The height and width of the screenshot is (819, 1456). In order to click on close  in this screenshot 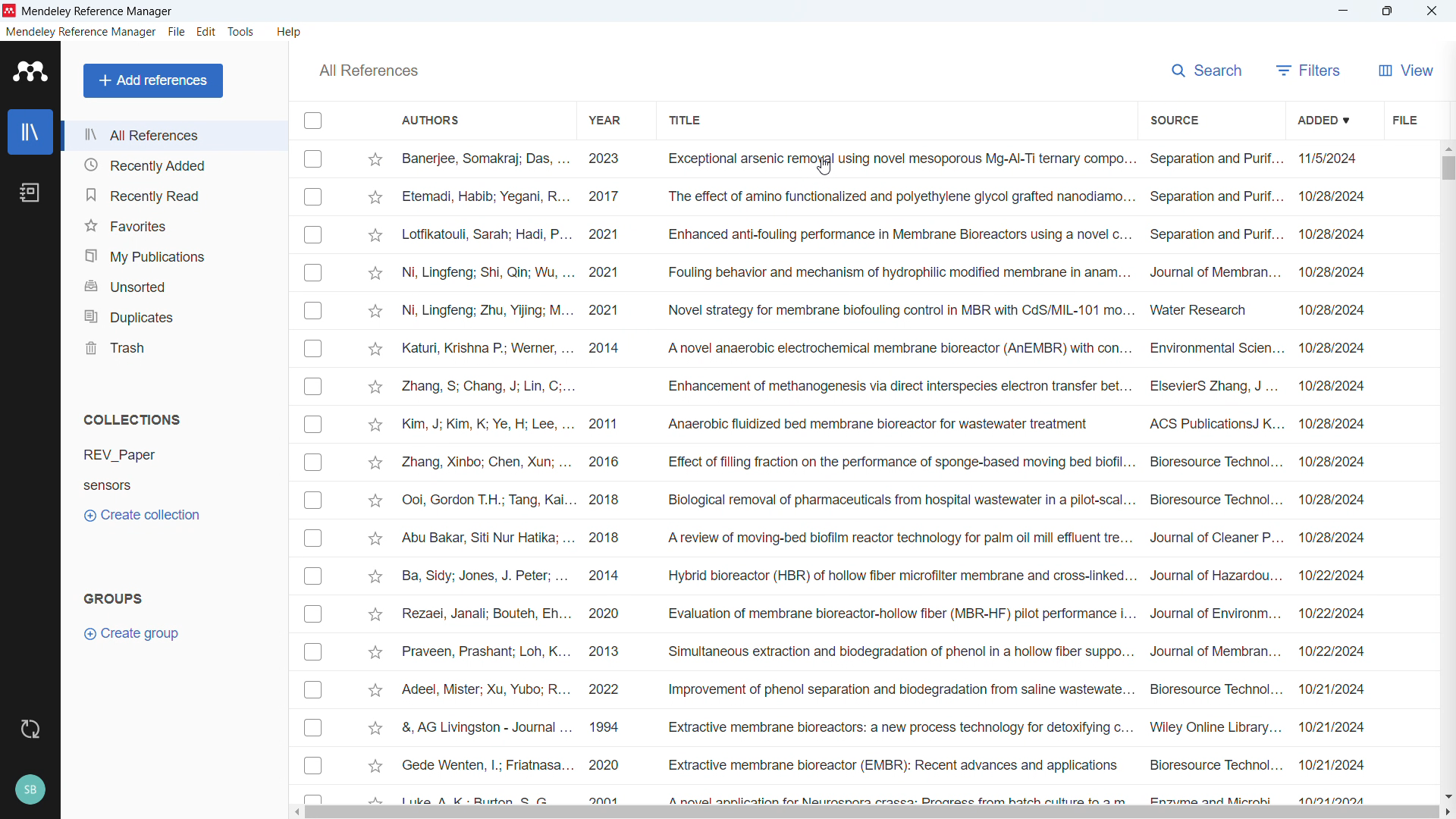, I will do `click(1430, 11)`.